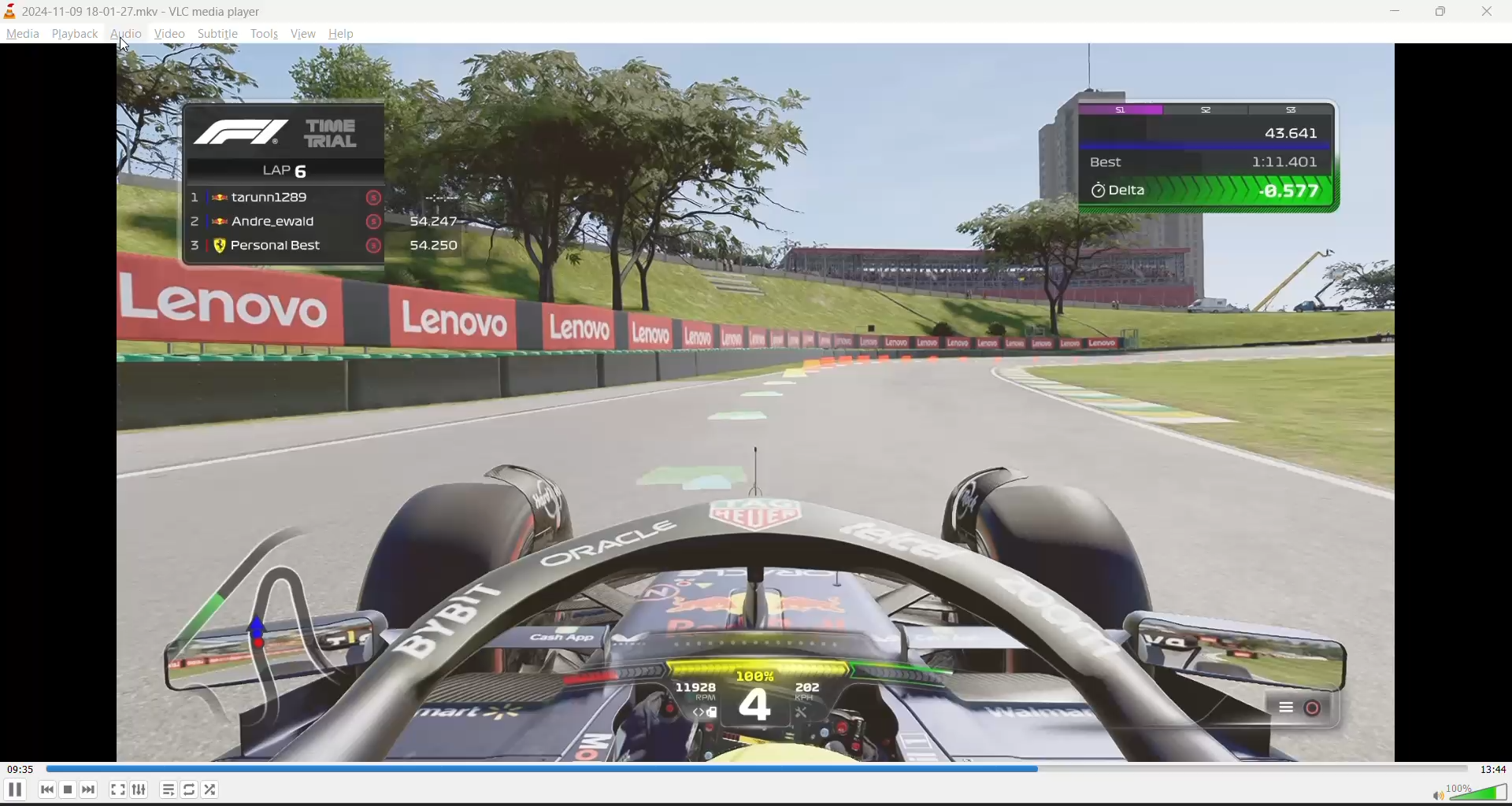 Image resolution: width=1512 pixels, height=806 pixels. What do you see at coordinates (126, 36) in the screenshot?
I see `audio` at bounding box center [126, 36].